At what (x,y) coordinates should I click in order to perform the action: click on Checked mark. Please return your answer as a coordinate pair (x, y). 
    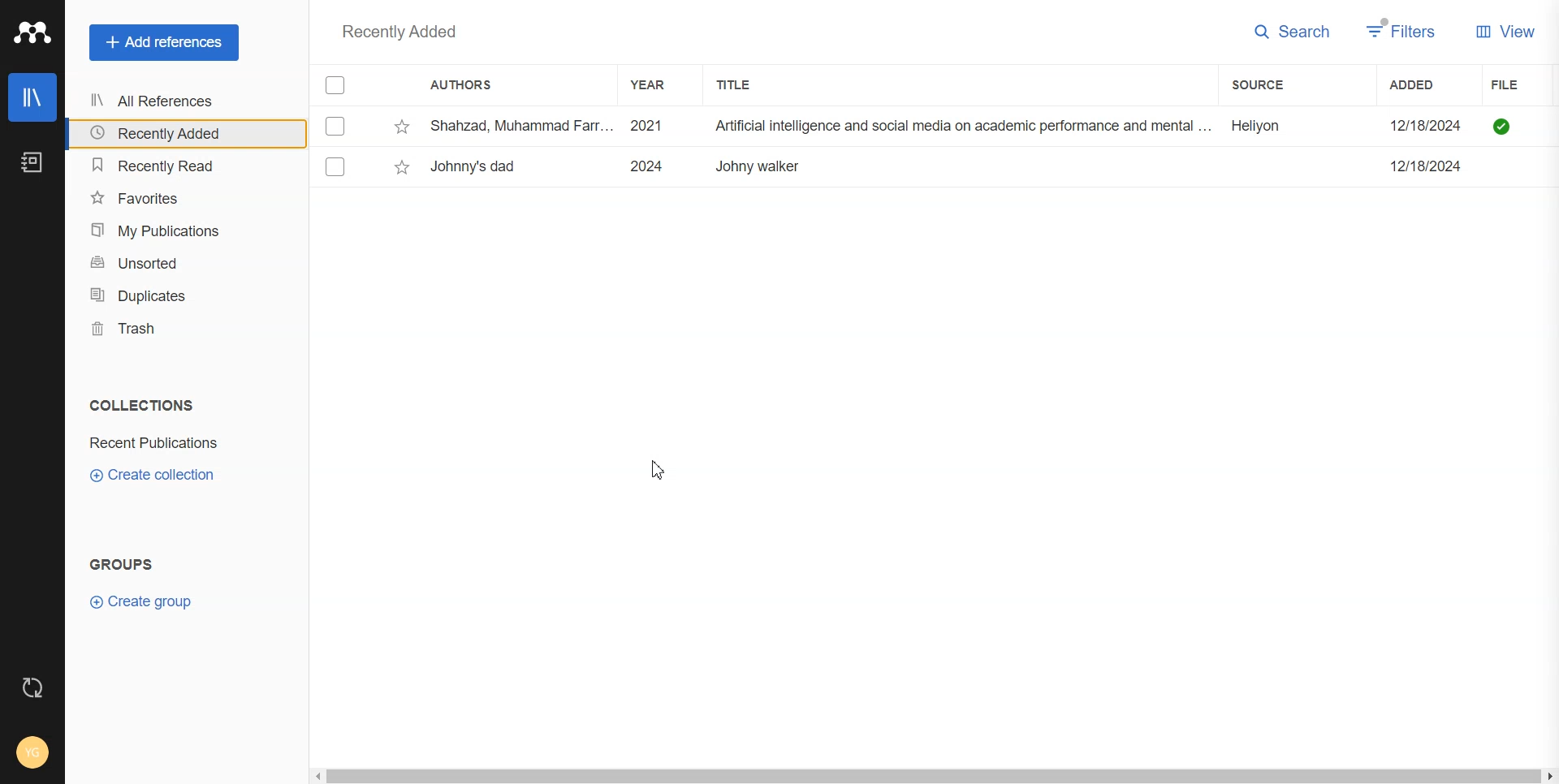
    Looking at the image, I should click on (336, 126).